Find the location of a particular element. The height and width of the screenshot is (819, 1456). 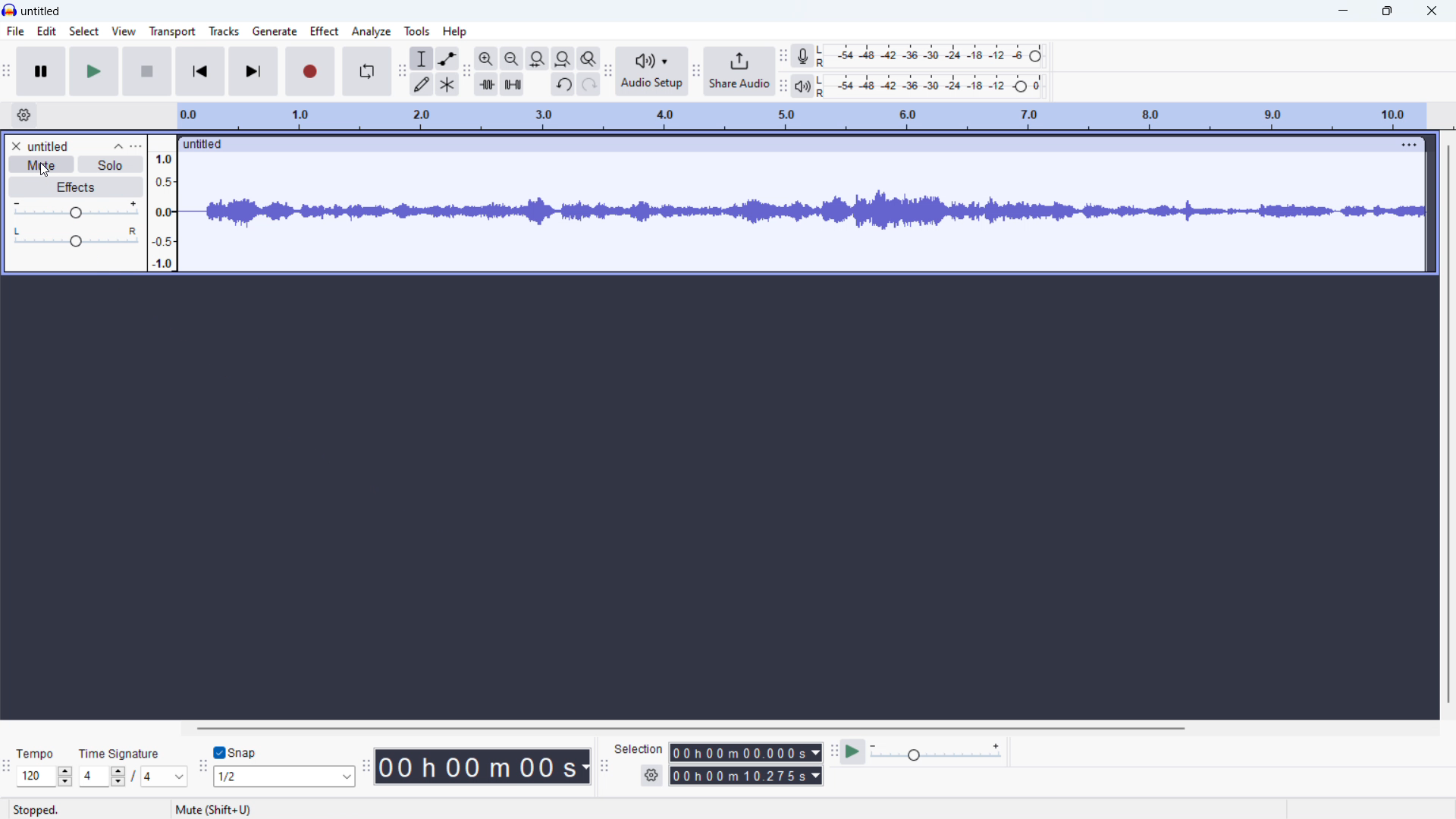

help is located at coordinates (454, 31).